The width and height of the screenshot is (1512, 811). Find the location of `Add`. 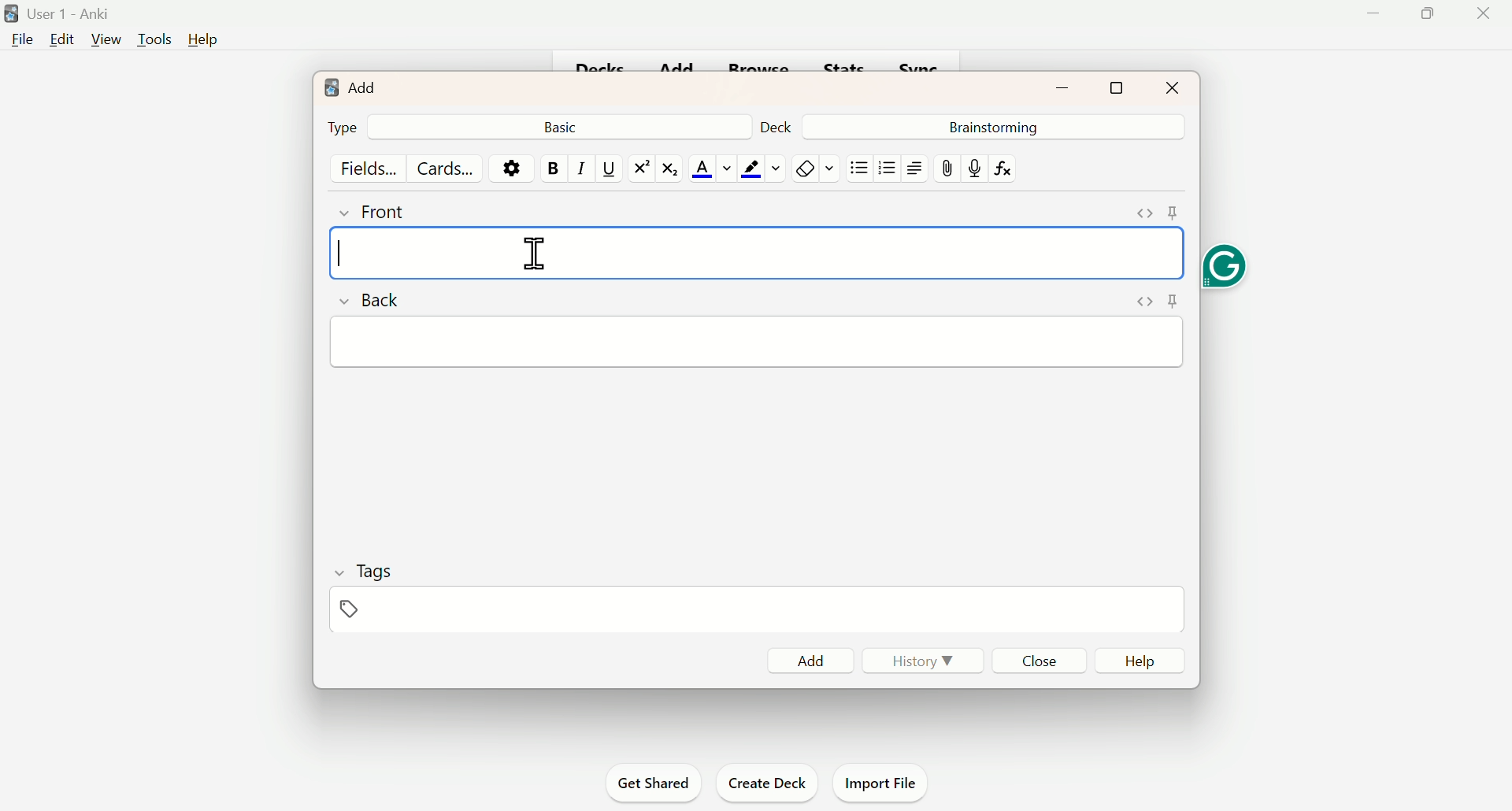

Add is located at coordinates (811, 660).